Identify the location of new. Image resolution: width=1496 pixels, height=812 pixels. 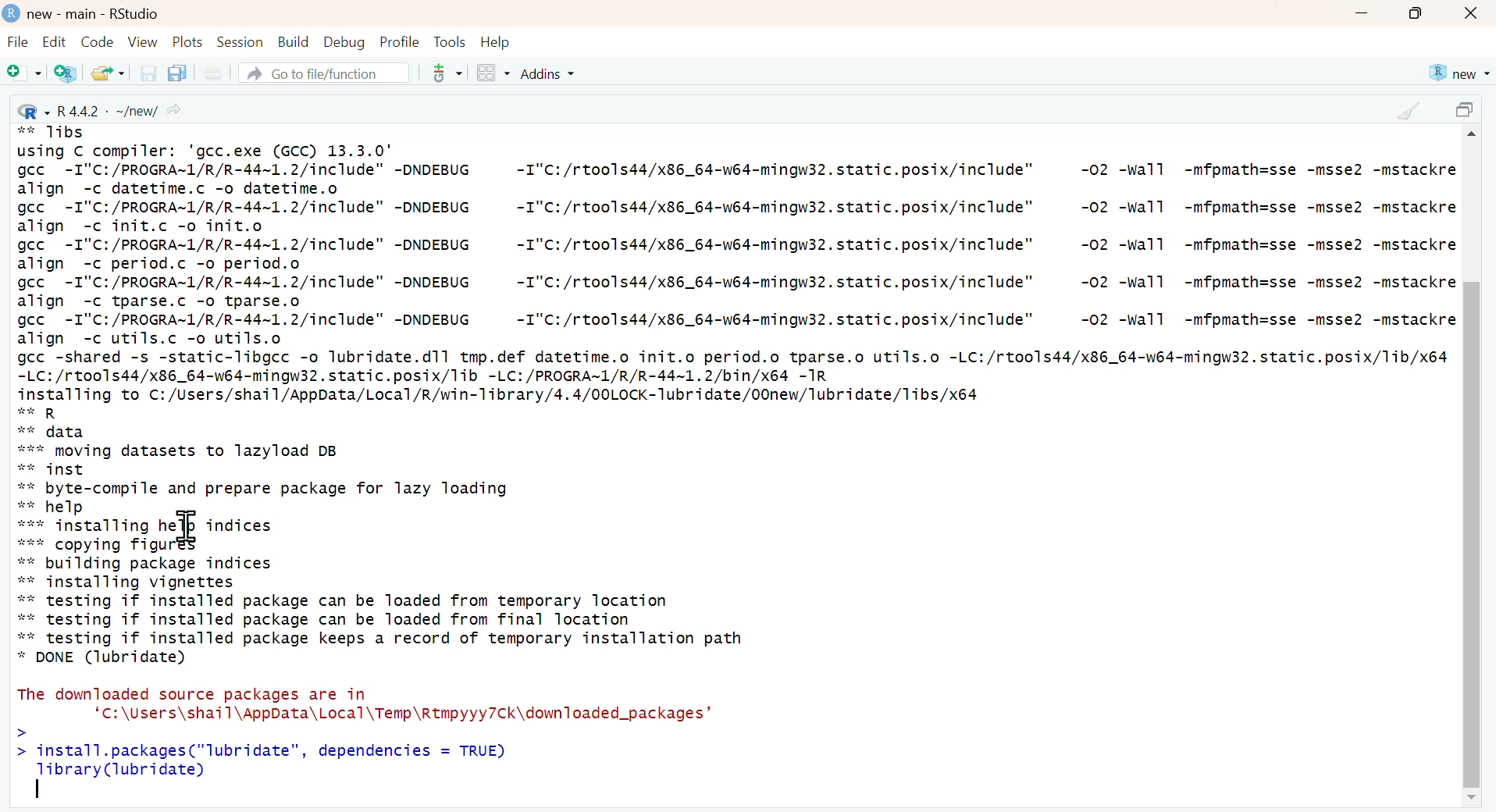
(1458, 73).